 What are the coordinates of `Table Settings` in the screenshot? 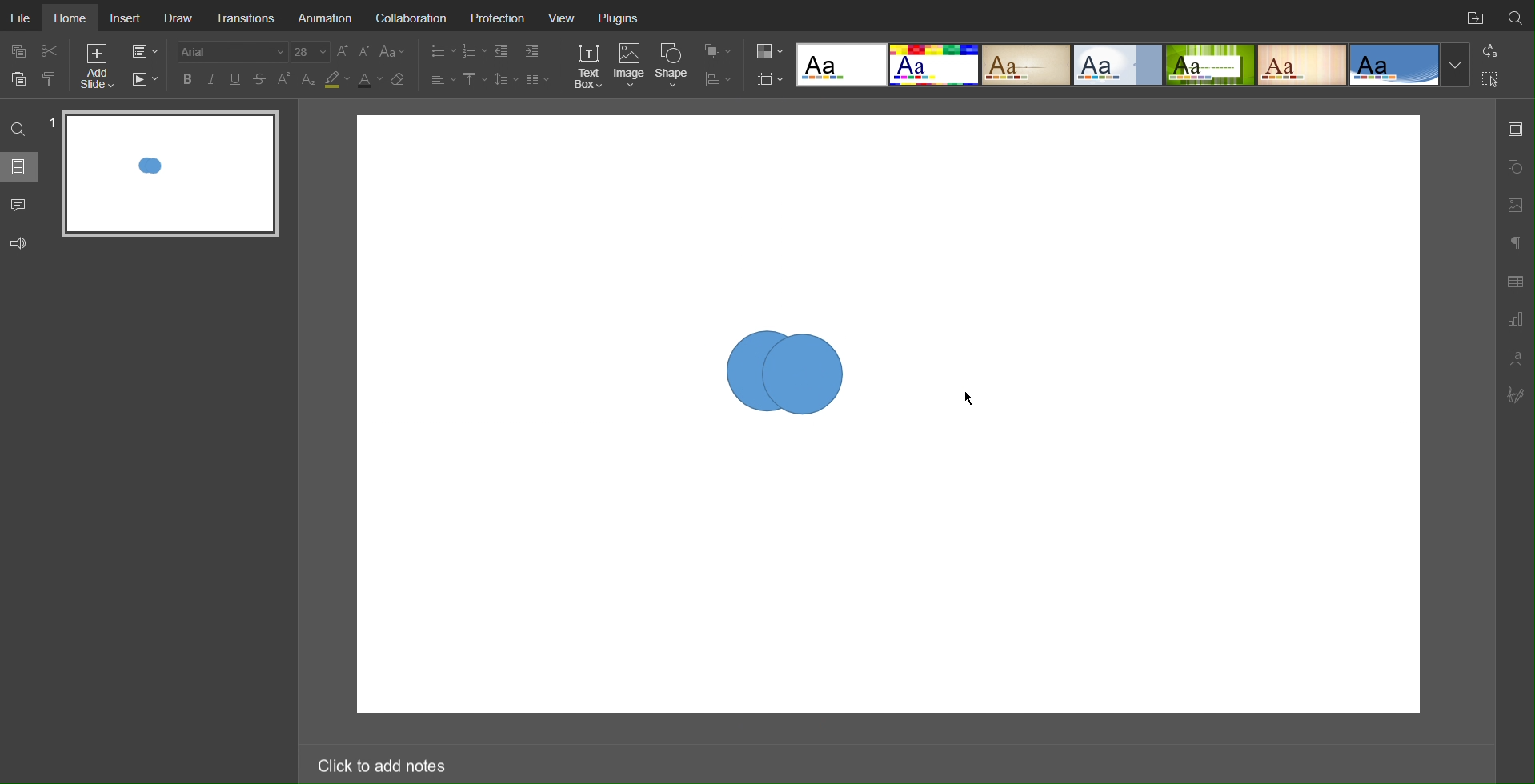 It's located at (1515, 280).